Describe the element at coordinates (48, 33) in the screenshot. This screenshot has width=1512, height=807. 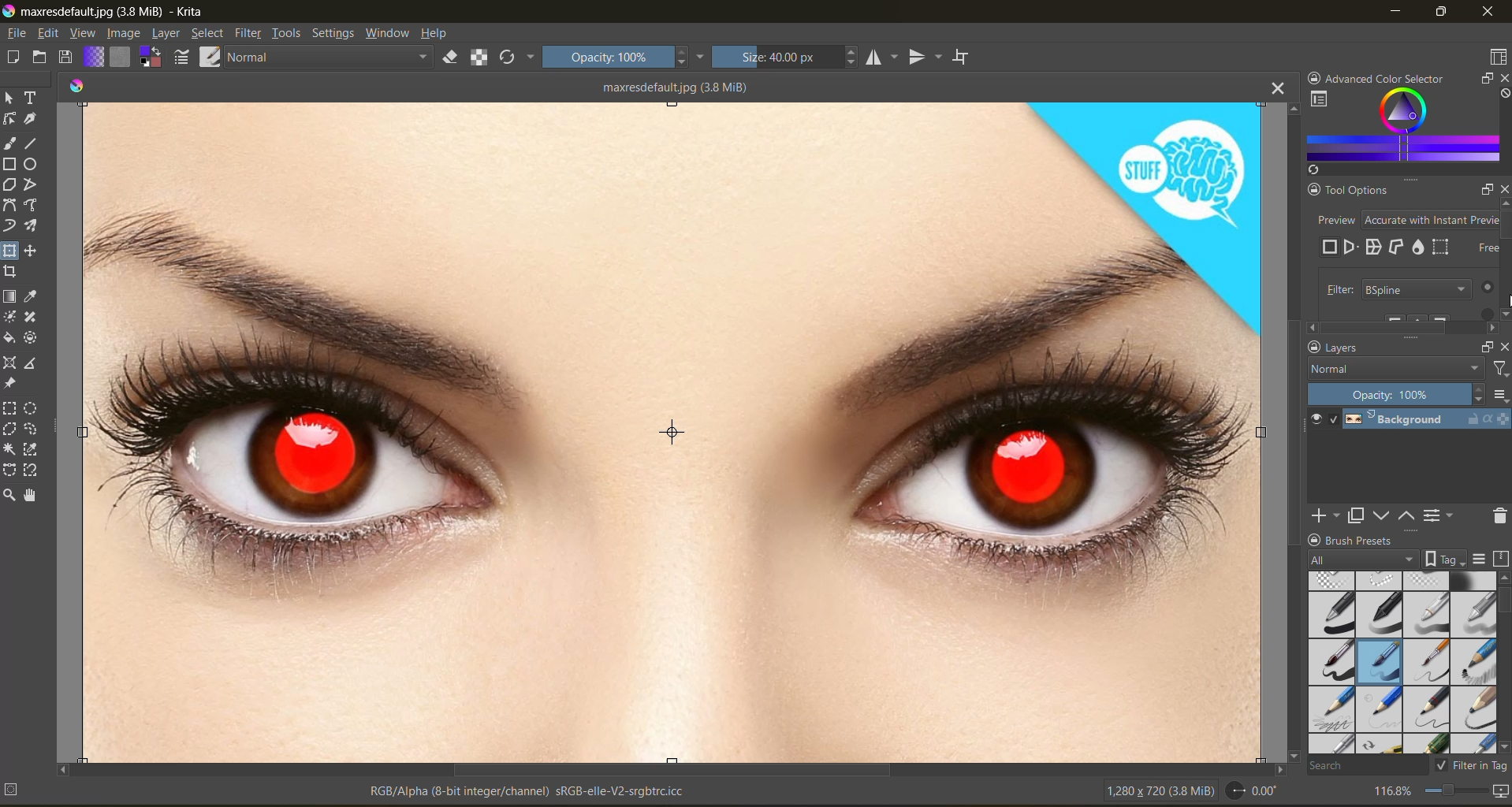
I see `edit` at that location.